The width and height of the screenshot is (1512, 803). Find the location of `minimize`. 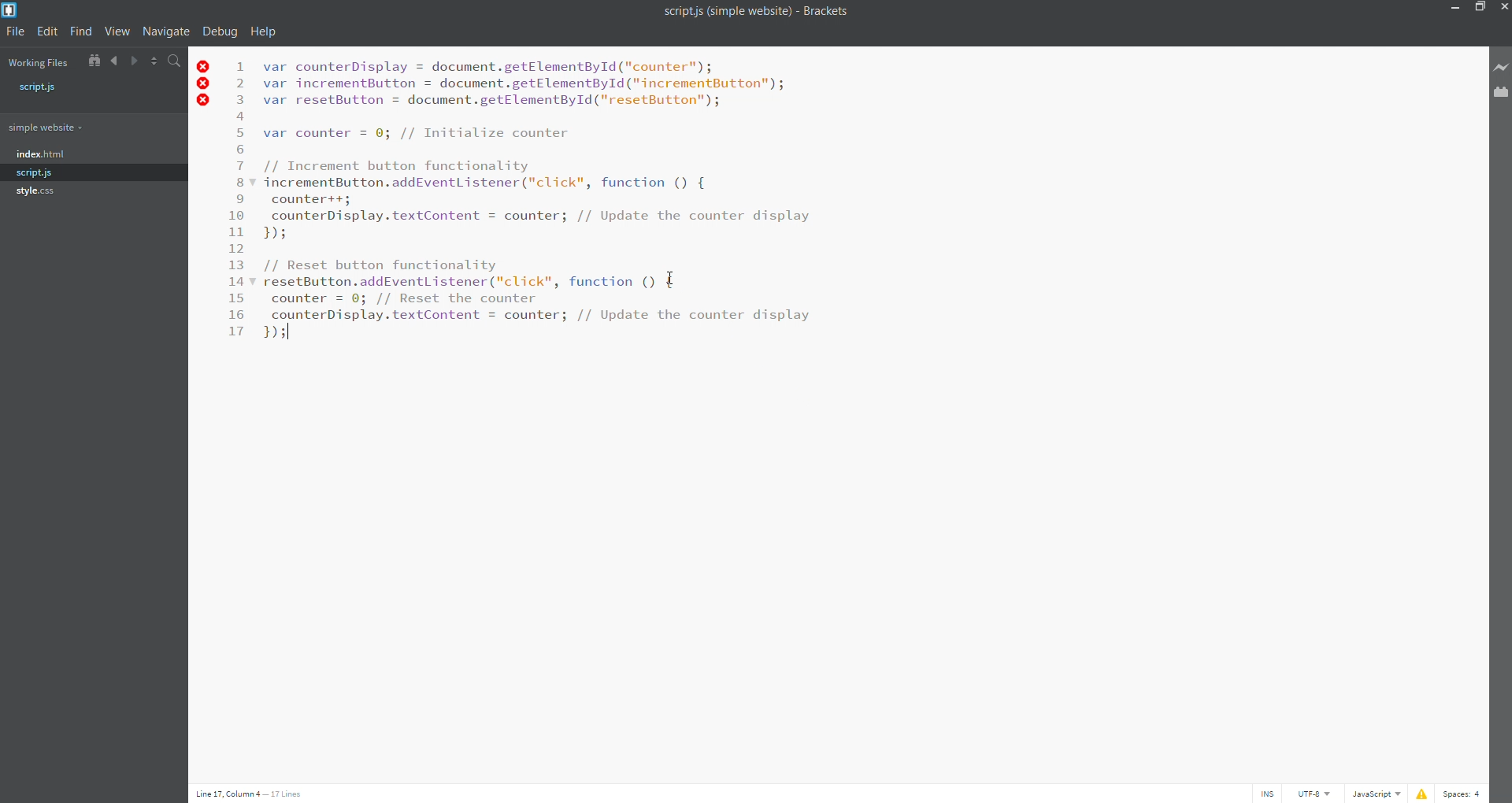

minimize is located at coordinates (1455, 8).